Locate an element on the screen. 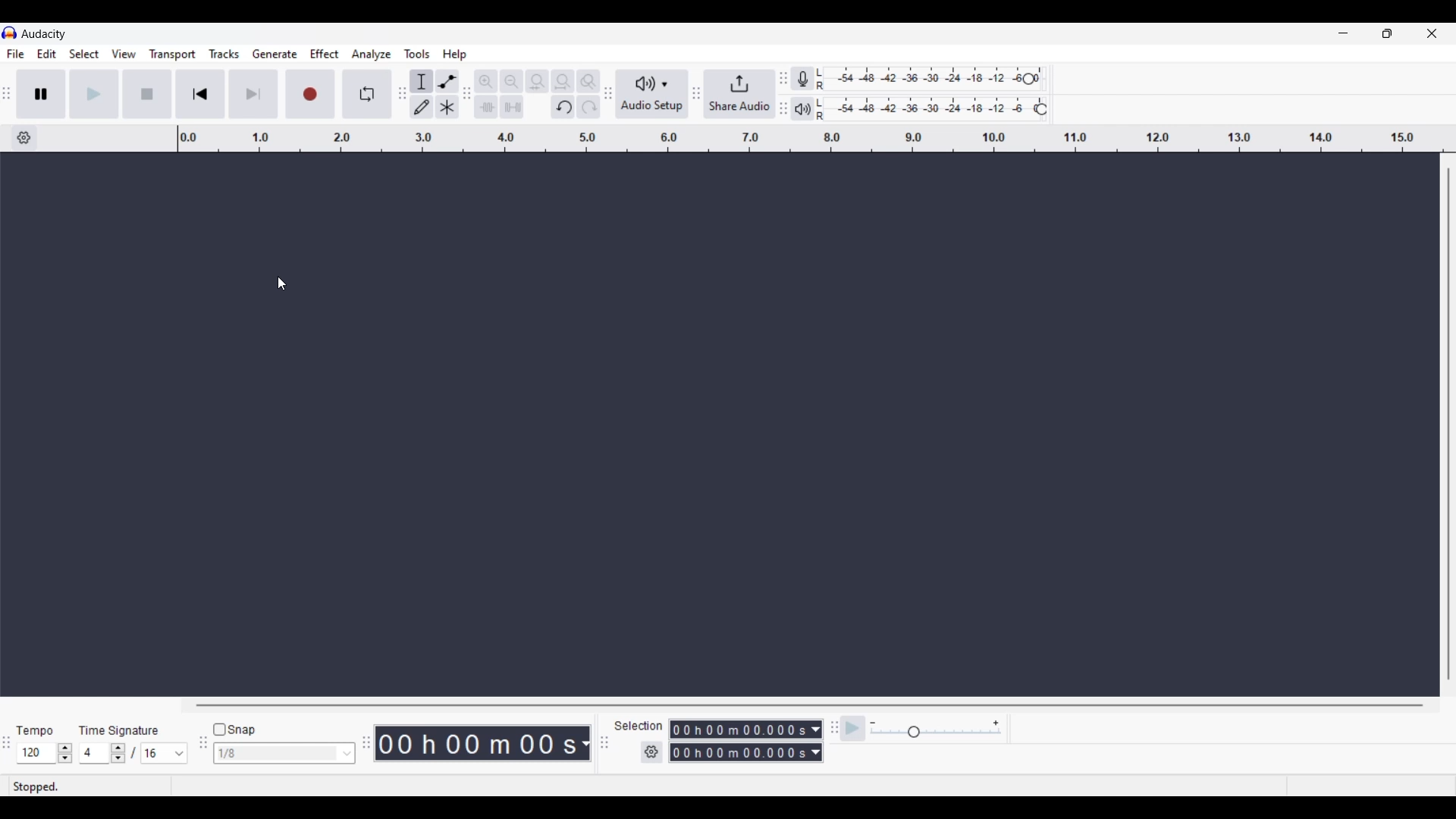 The image size is (1456, 819). Redo is located at coordinates (588, 106).